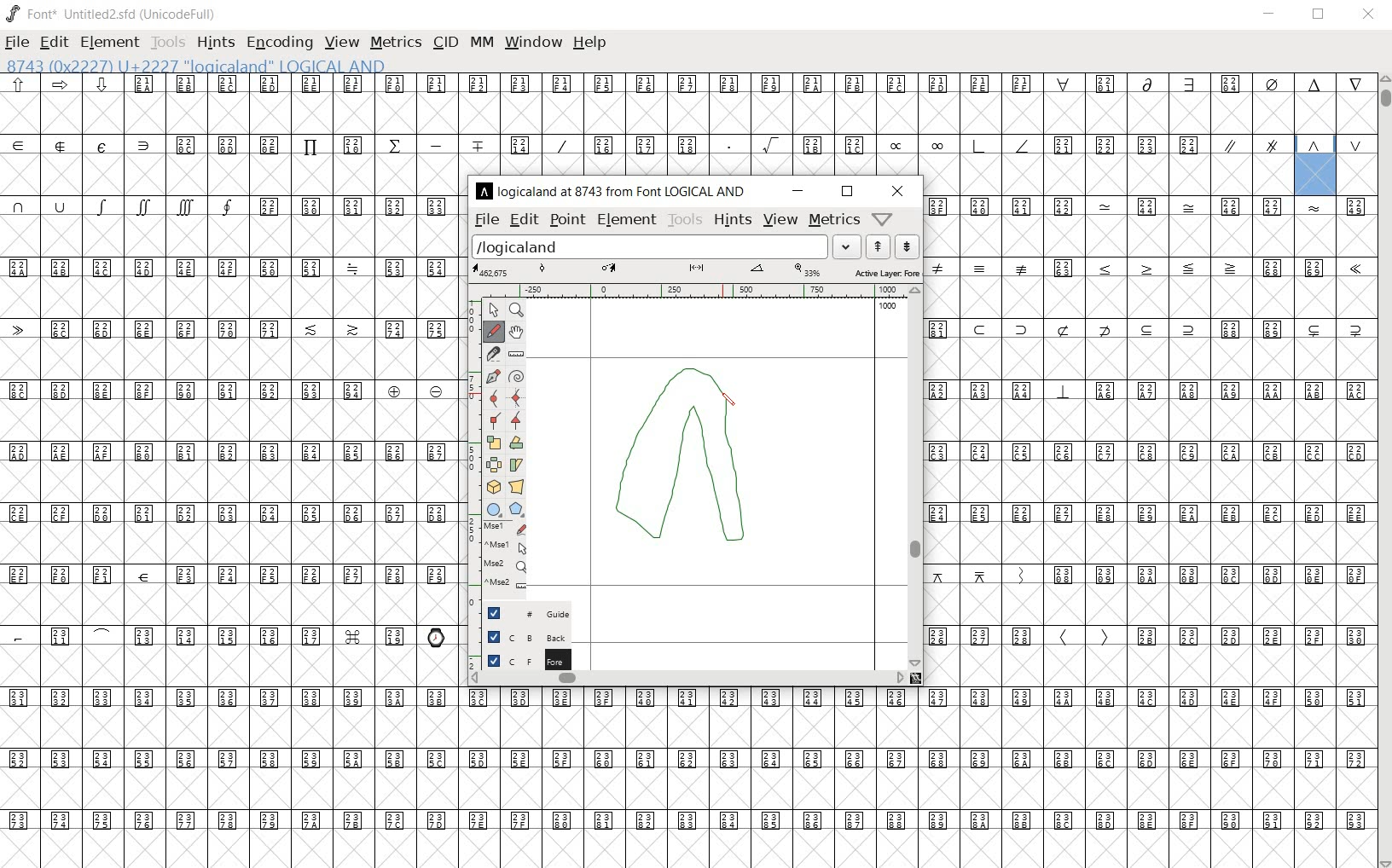 The height and width of the screenshot is (868, 1392). I want to click on 8743 (0x22227) U+2227 "logicaland" LOGICAL AND, so click(198, 67).